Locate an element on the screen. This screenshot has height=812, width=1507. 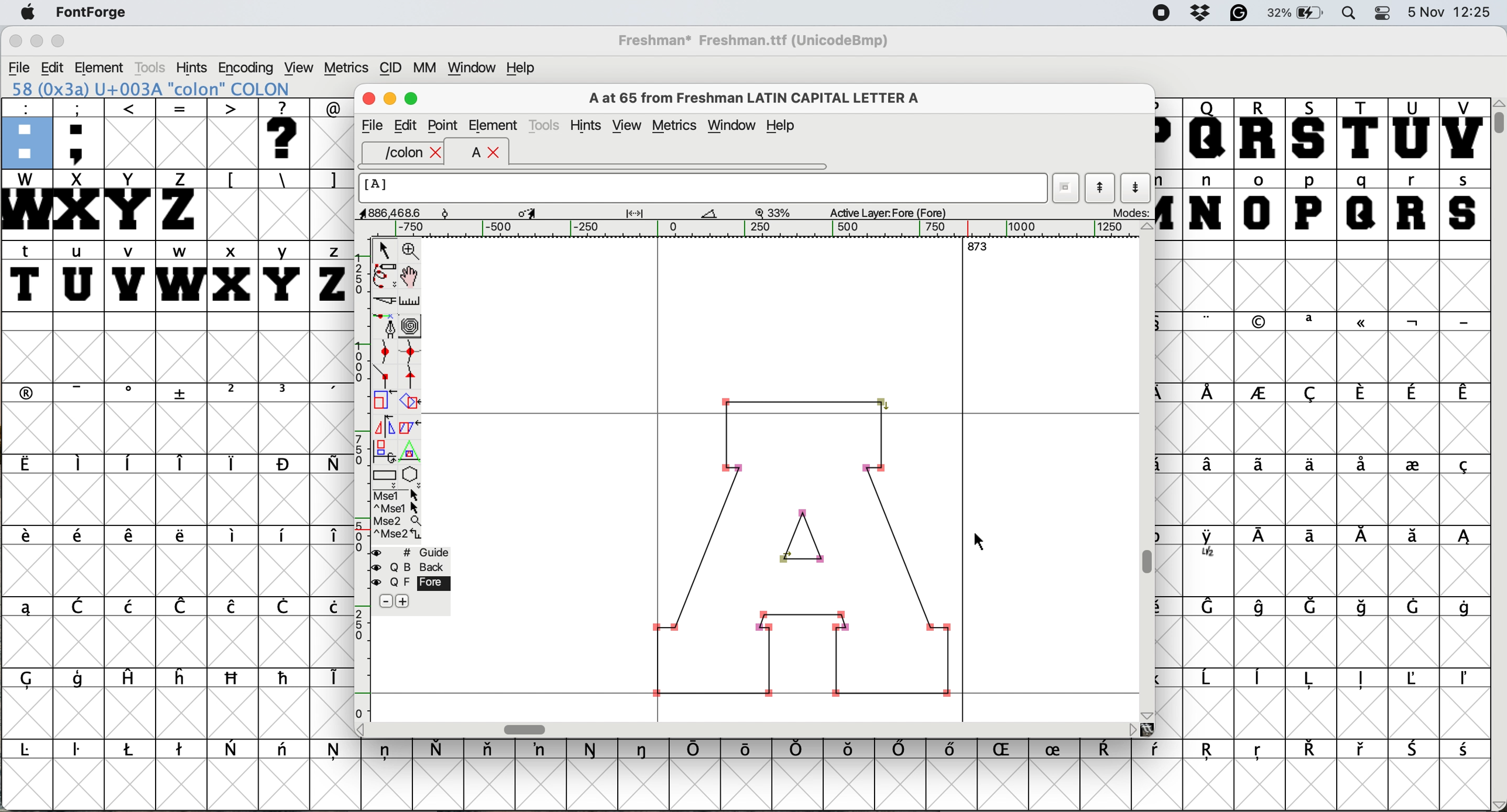
horizontal scale is located at coordinates (761, 229).